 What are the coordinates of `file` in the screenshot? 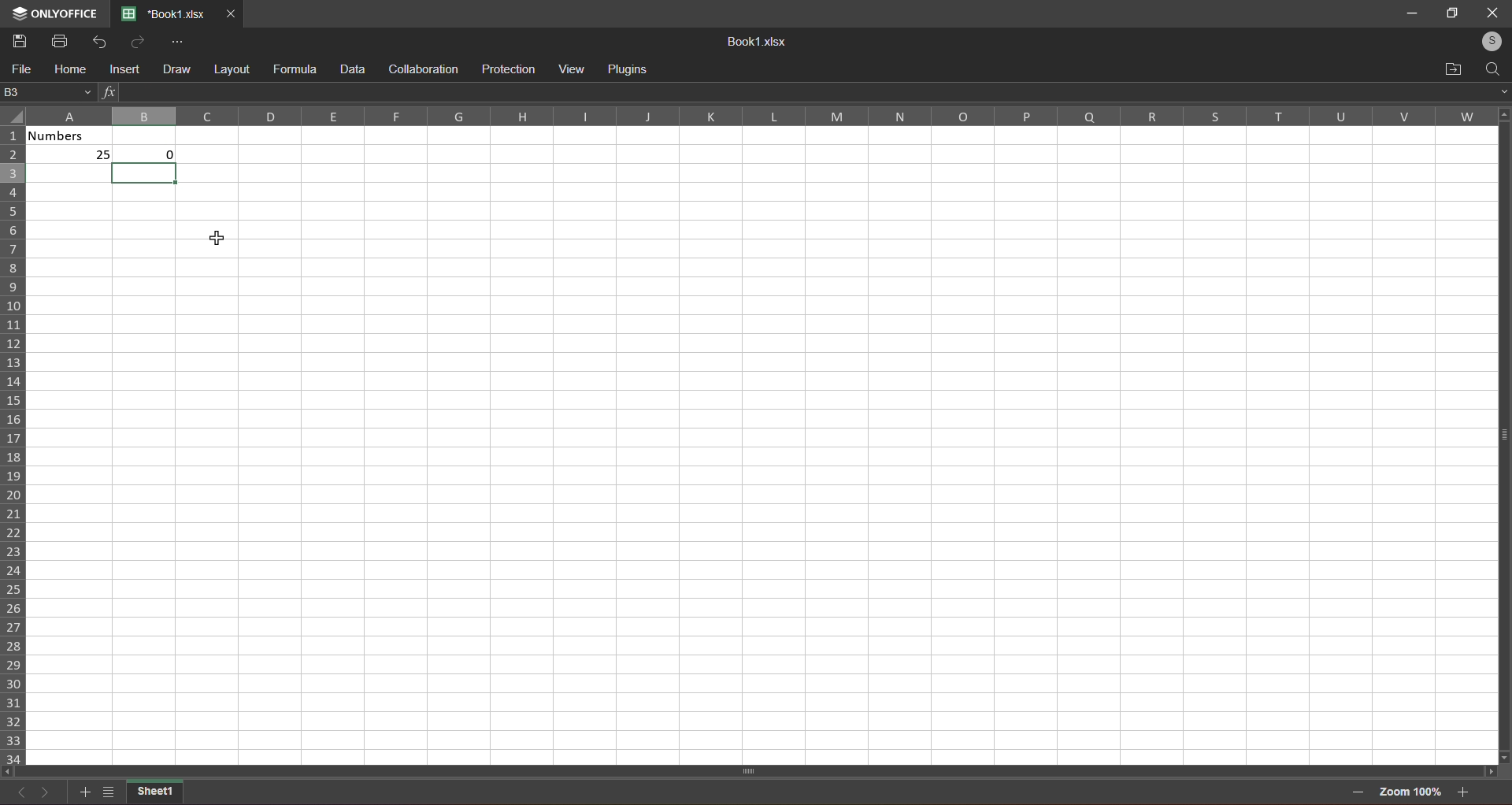 It's located at (20, 70).